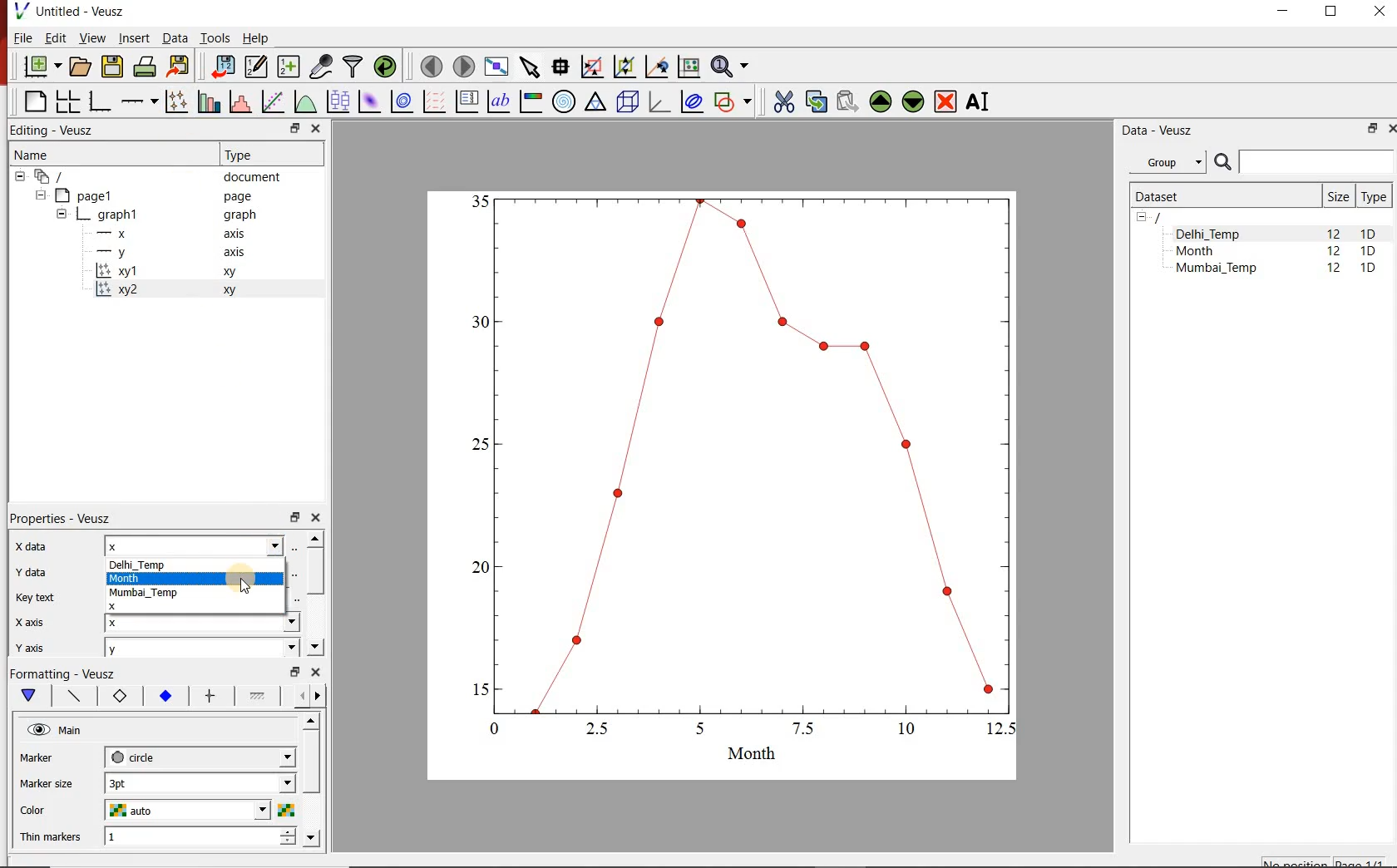 This screenshot has width=1397, height=868. I want to click on Minor ticks, so click(259, 696).